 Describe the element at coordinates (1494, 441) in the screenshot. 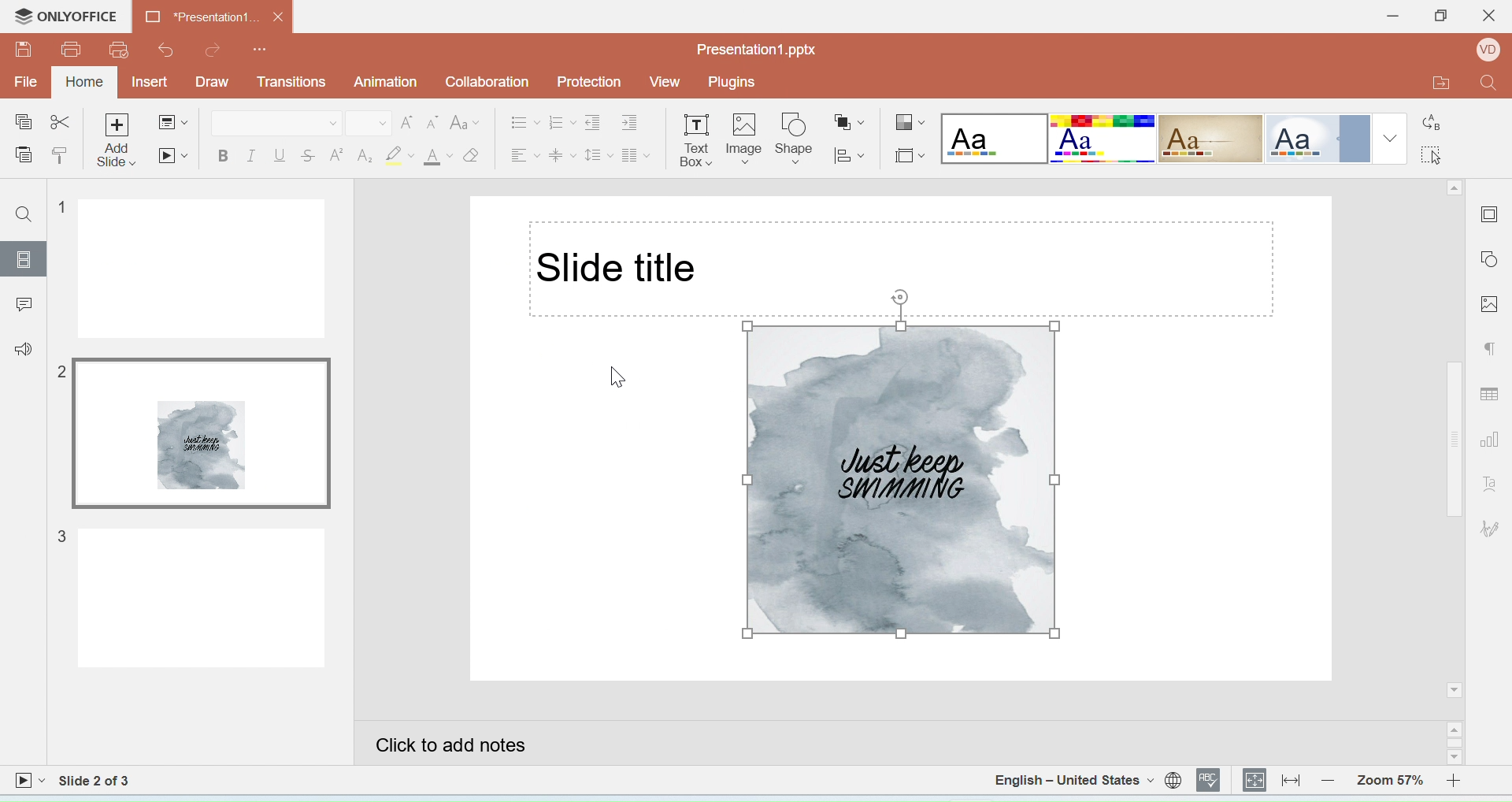

I see `Chart settings` at that location.